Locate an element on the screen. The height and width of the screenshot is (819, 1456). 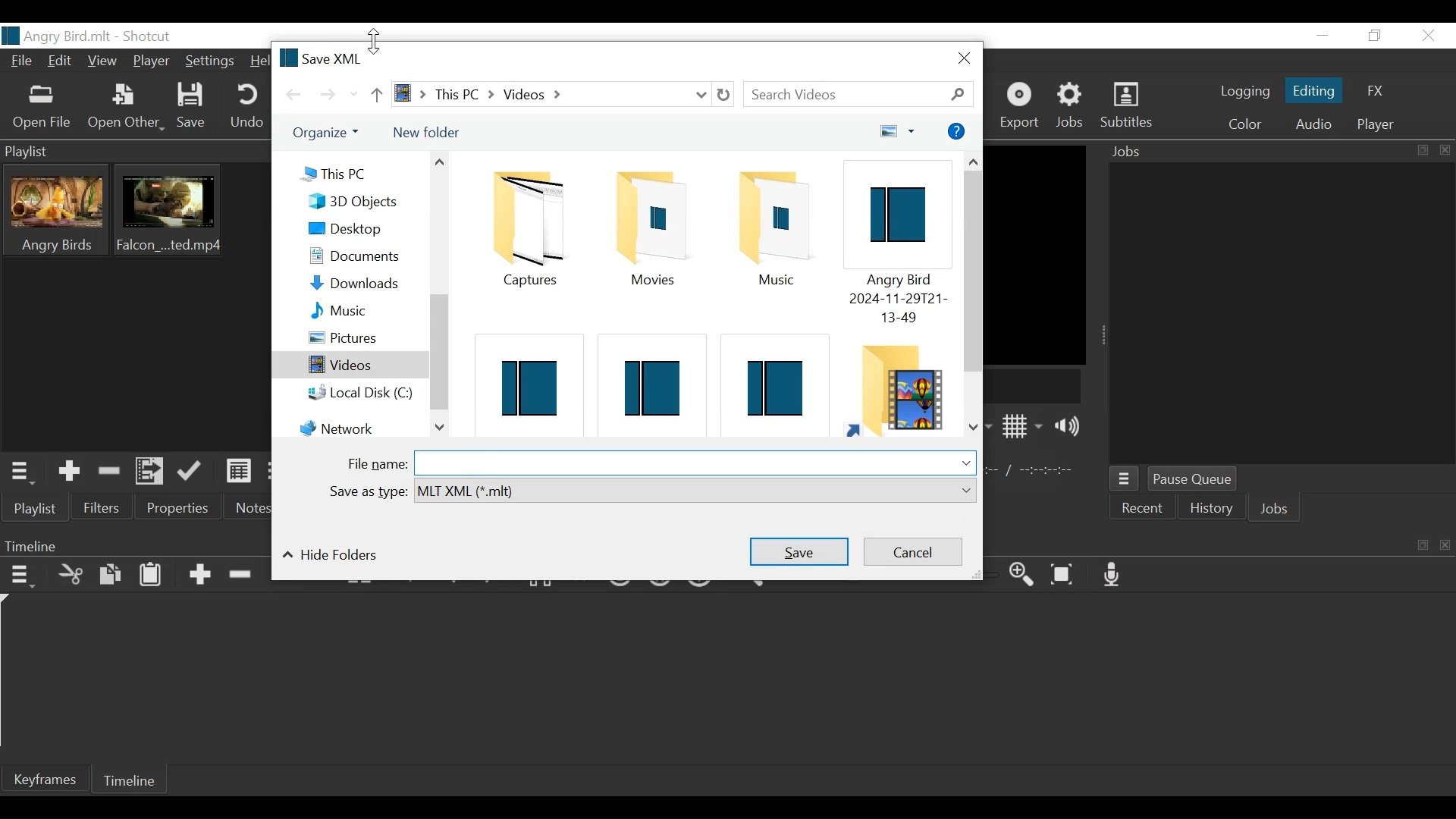
View is located at coordinates (102, 63).